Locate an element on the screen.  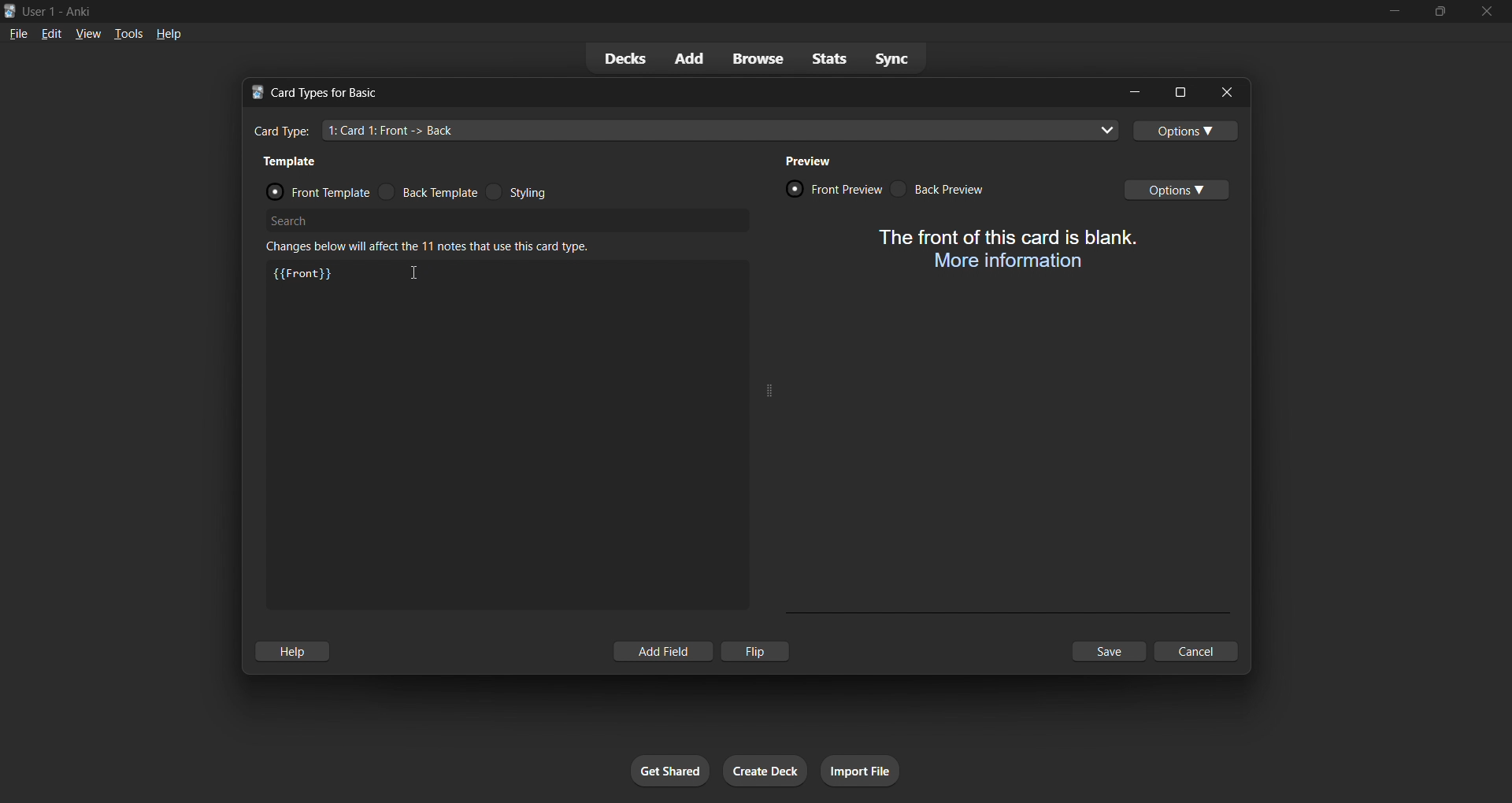
browse is located at coordinates (753, 58).